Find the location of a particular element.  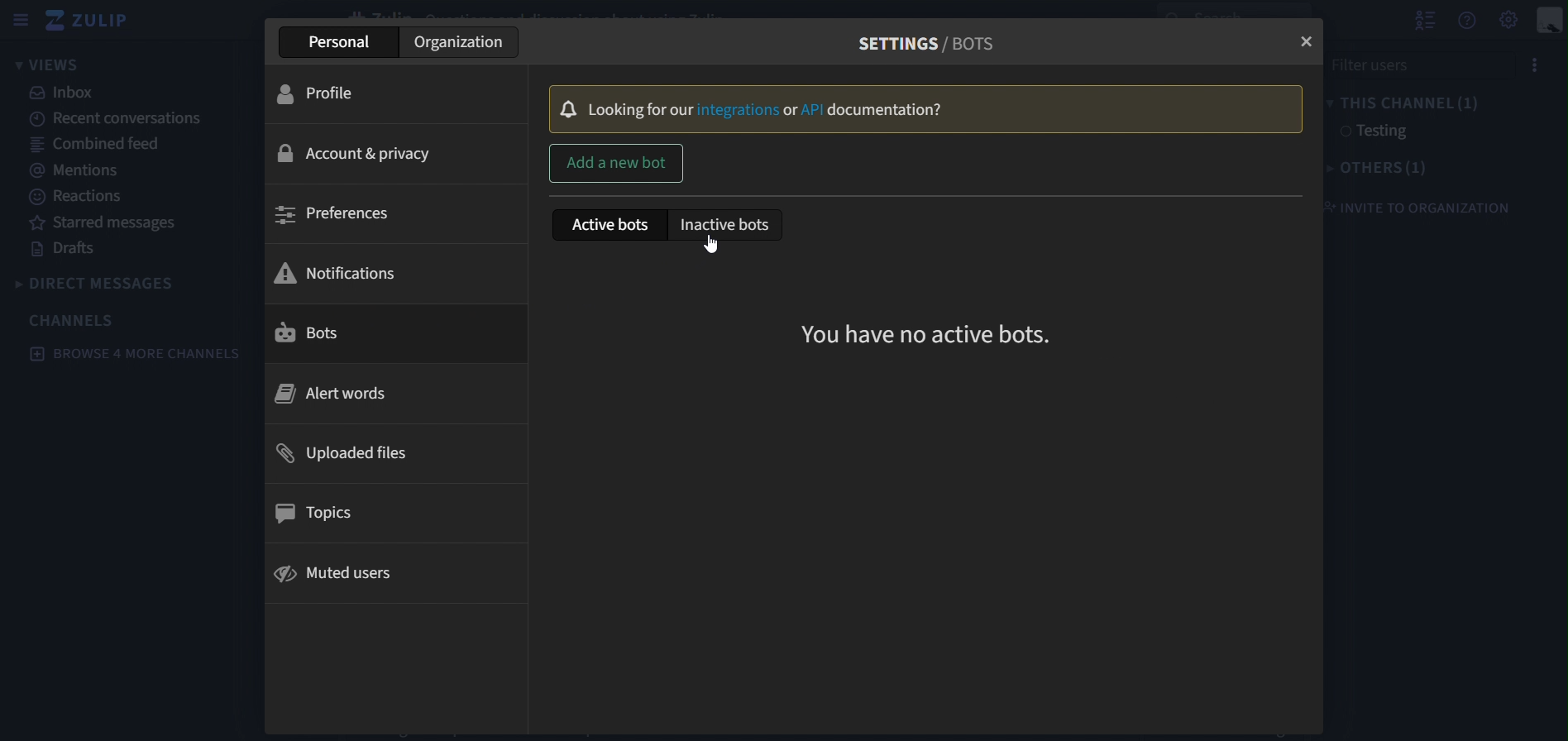

You have no active bots. is located at coordinates (931, 332).